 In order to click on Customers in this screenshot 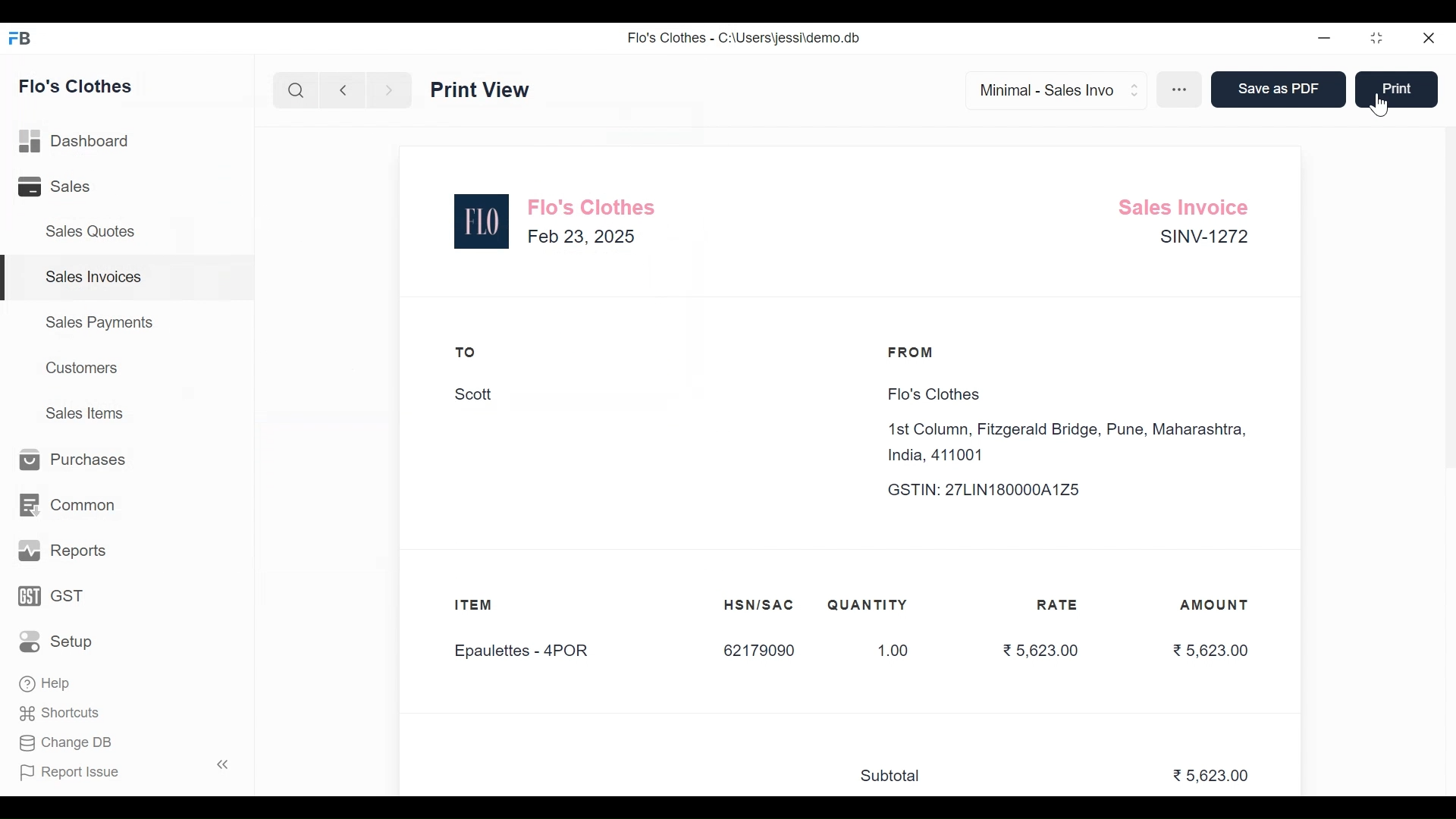, I will do `click(82, 369)`.